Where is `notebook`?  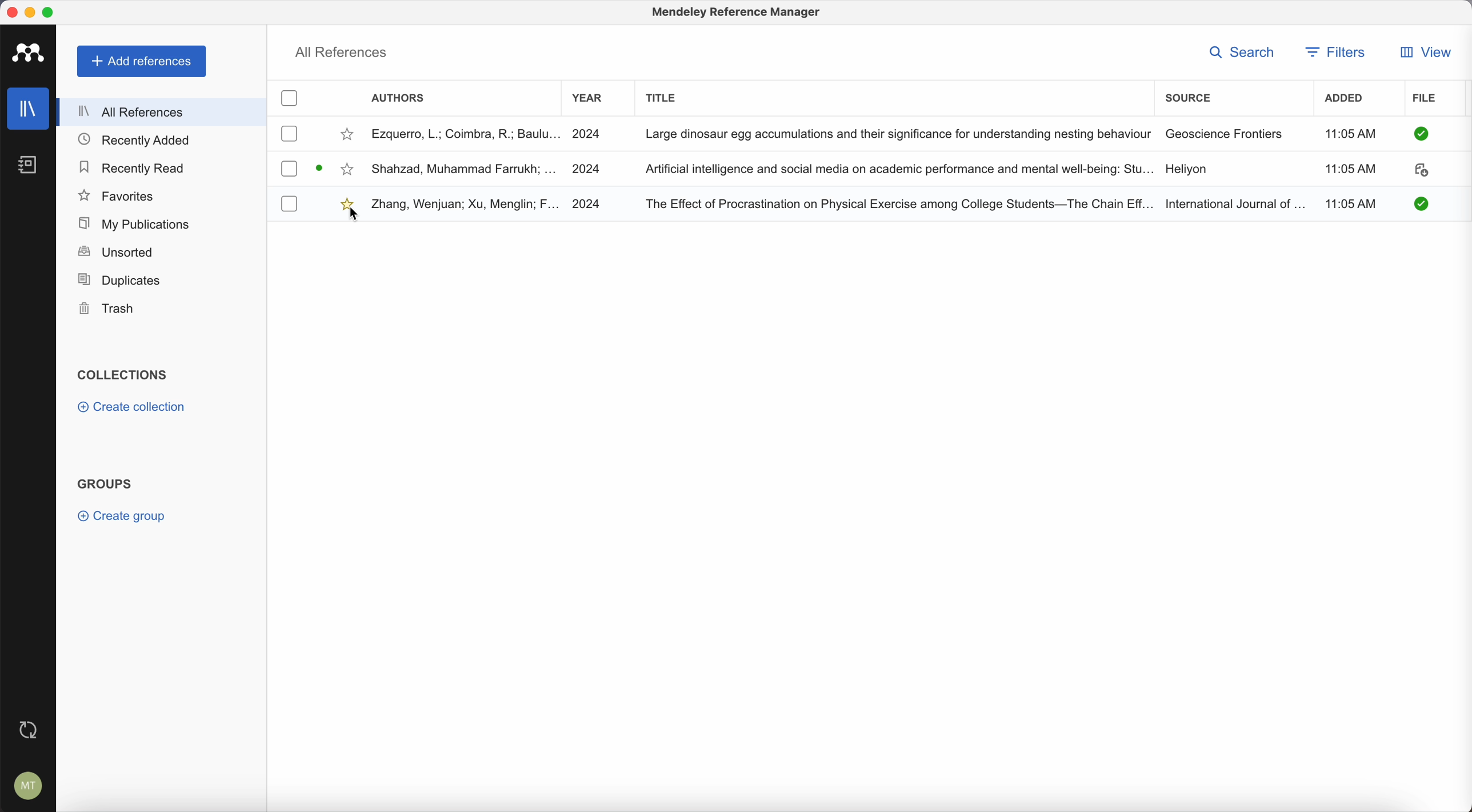
notebook is located at coordinates (34, 166).